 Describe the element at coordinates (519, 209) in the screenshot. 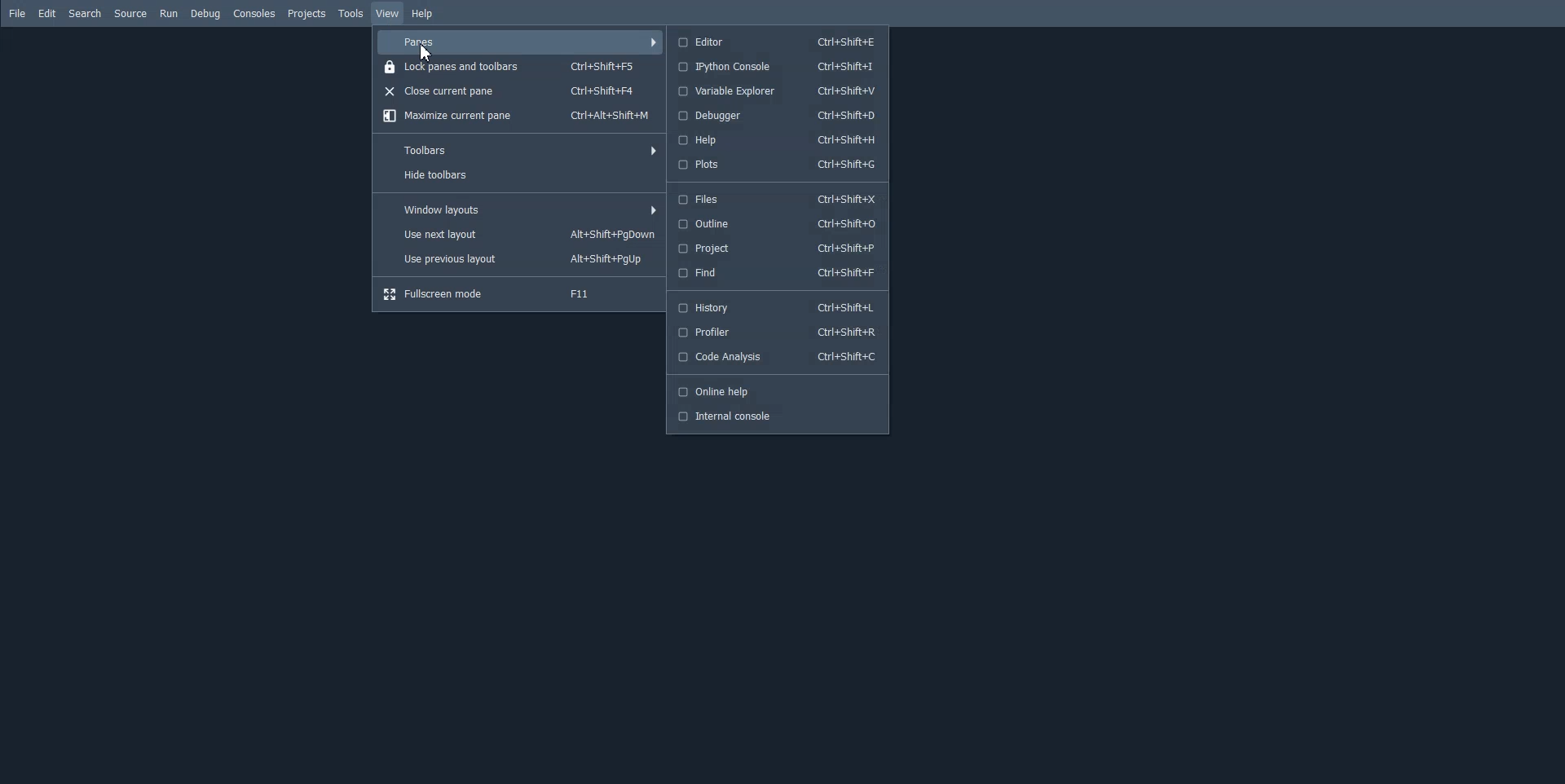

I see `window layout` at that location.